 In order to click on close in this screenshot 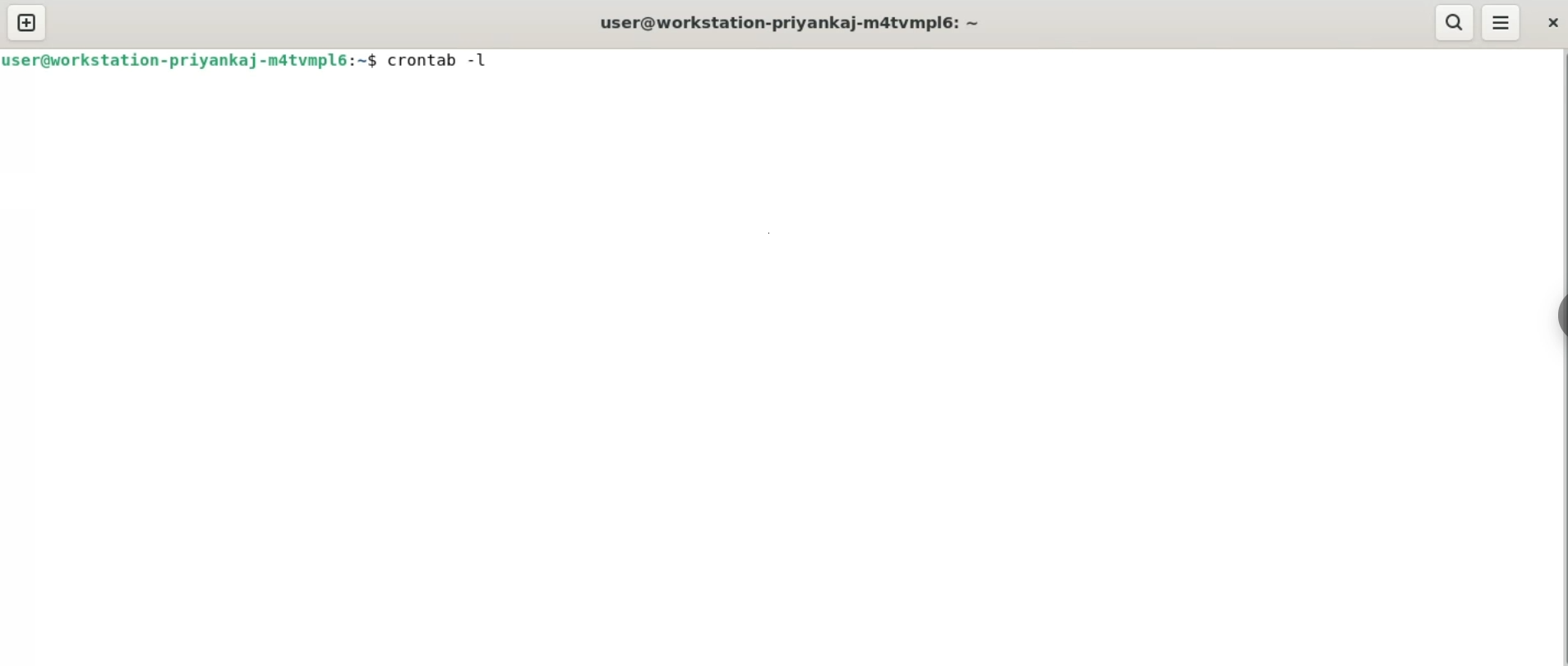, I will do `click(1554, 25)`.